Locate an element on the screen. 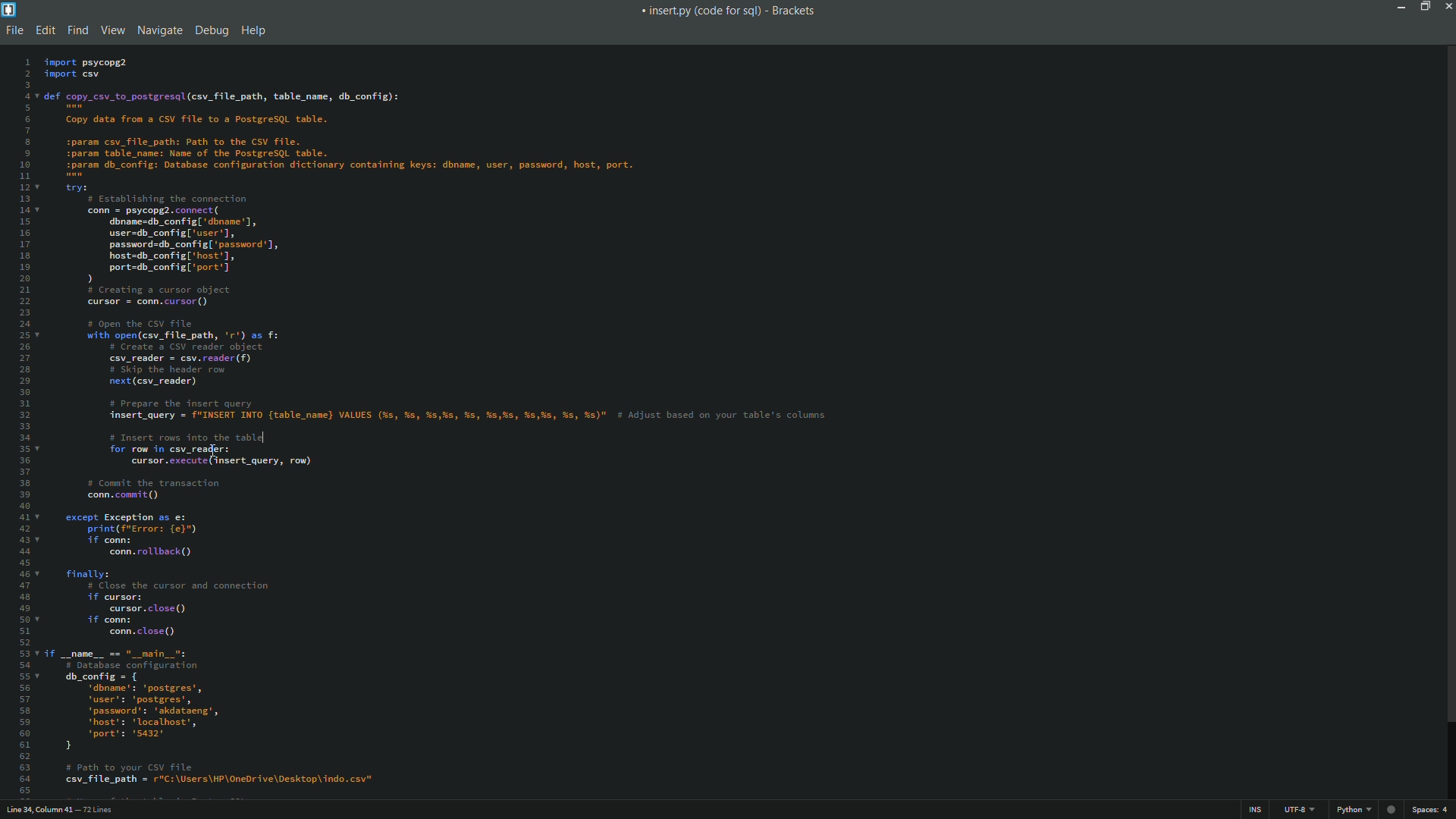 This screenshot has height=819, width=1456. close app is located at coordinates (1447, 7).